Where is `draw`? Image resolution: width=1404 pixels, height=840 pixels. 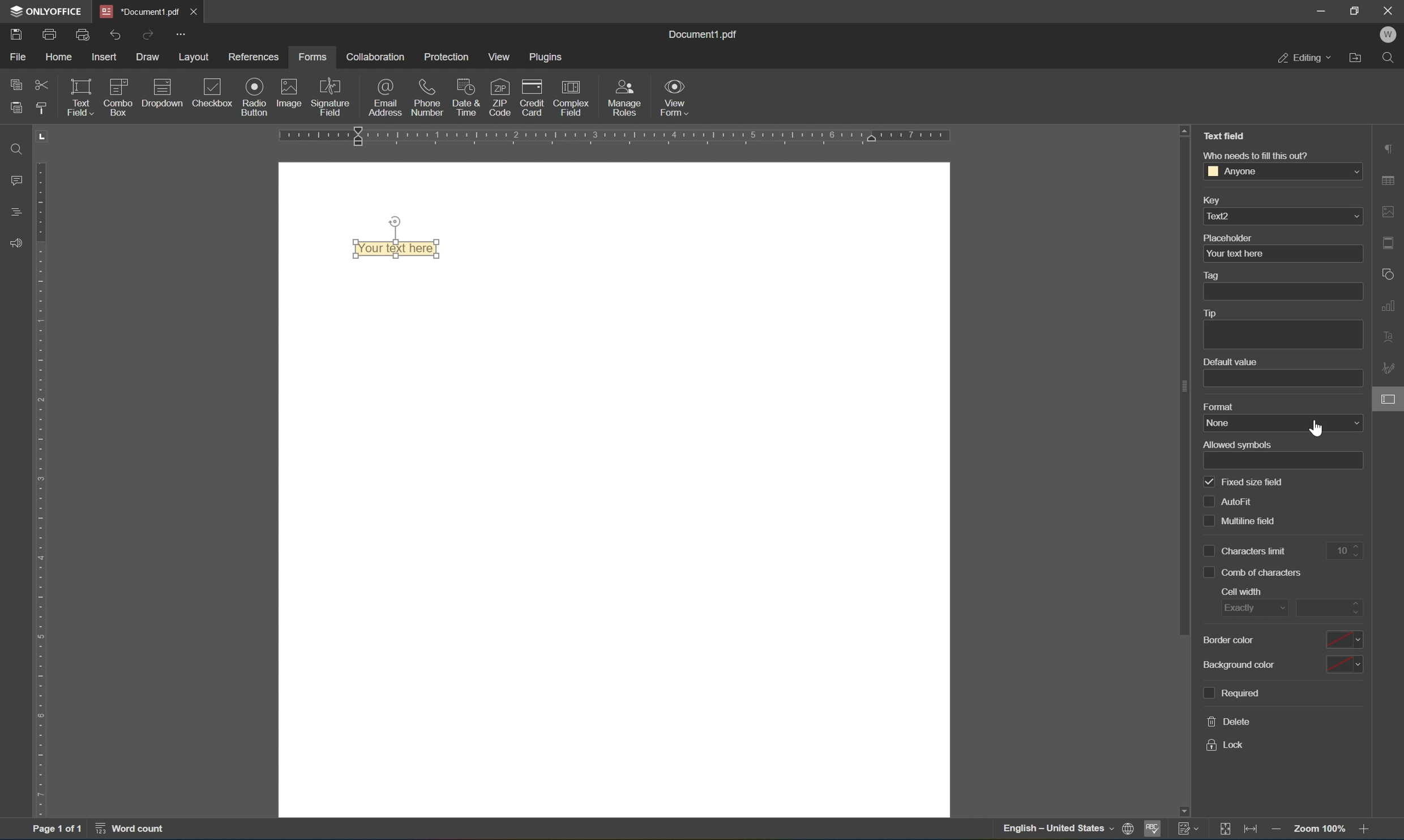 draw is located at coordinates (149, 58).